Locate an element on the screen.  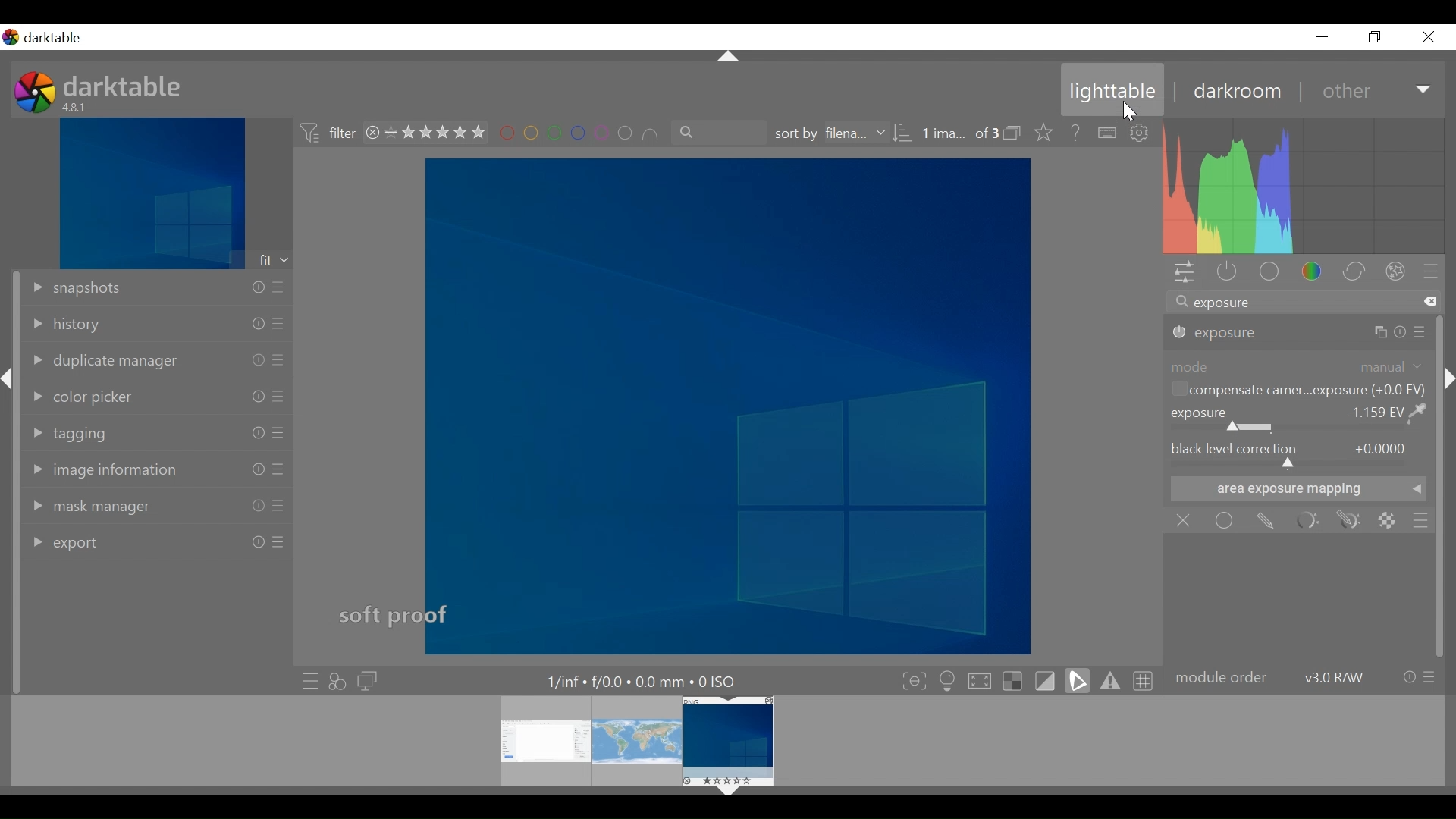
histogram is located at coordinates (1305, 186).